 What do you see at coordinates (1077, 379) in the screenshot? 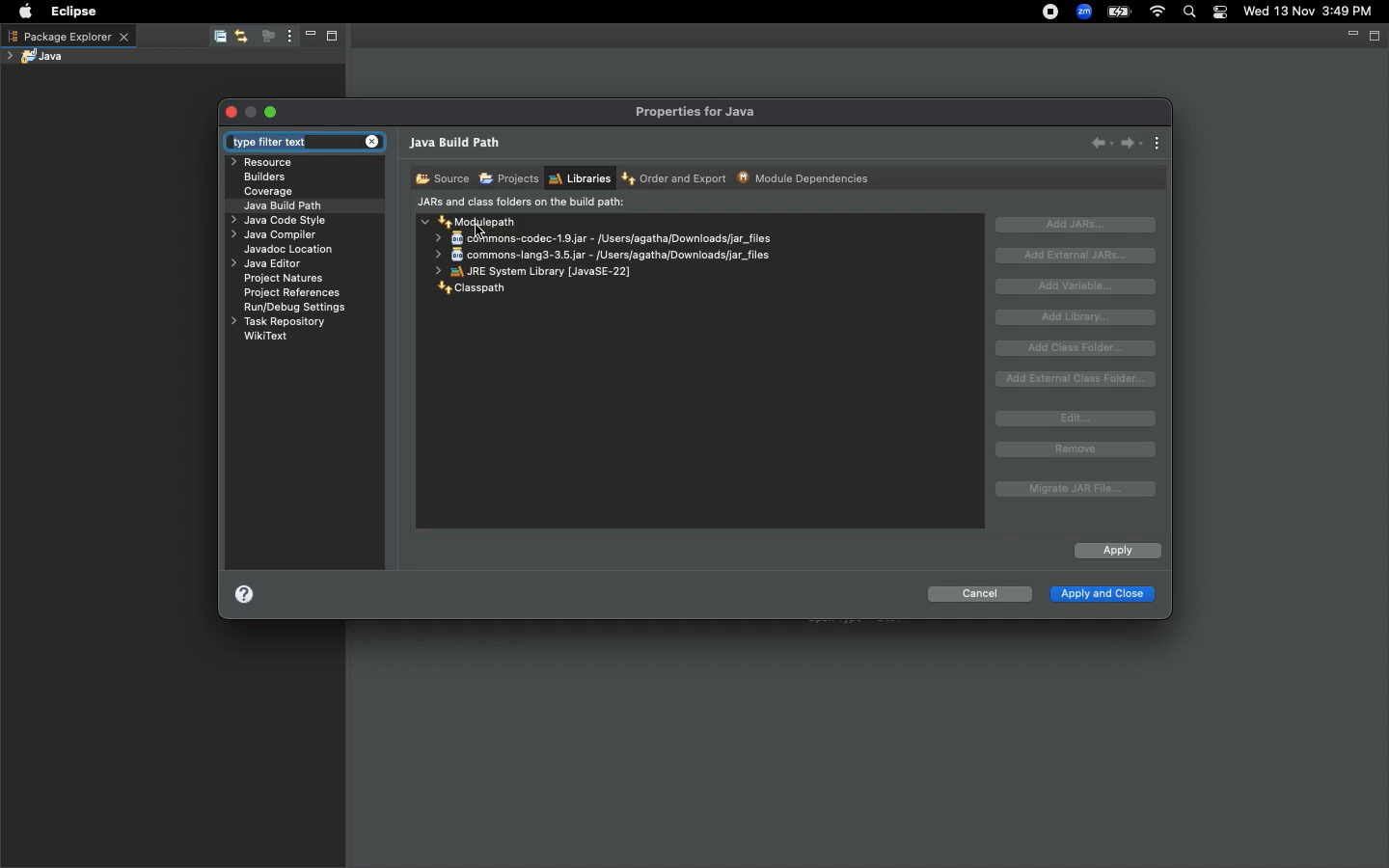
I see `Add external class folder` at bounding box center [1077, 379].